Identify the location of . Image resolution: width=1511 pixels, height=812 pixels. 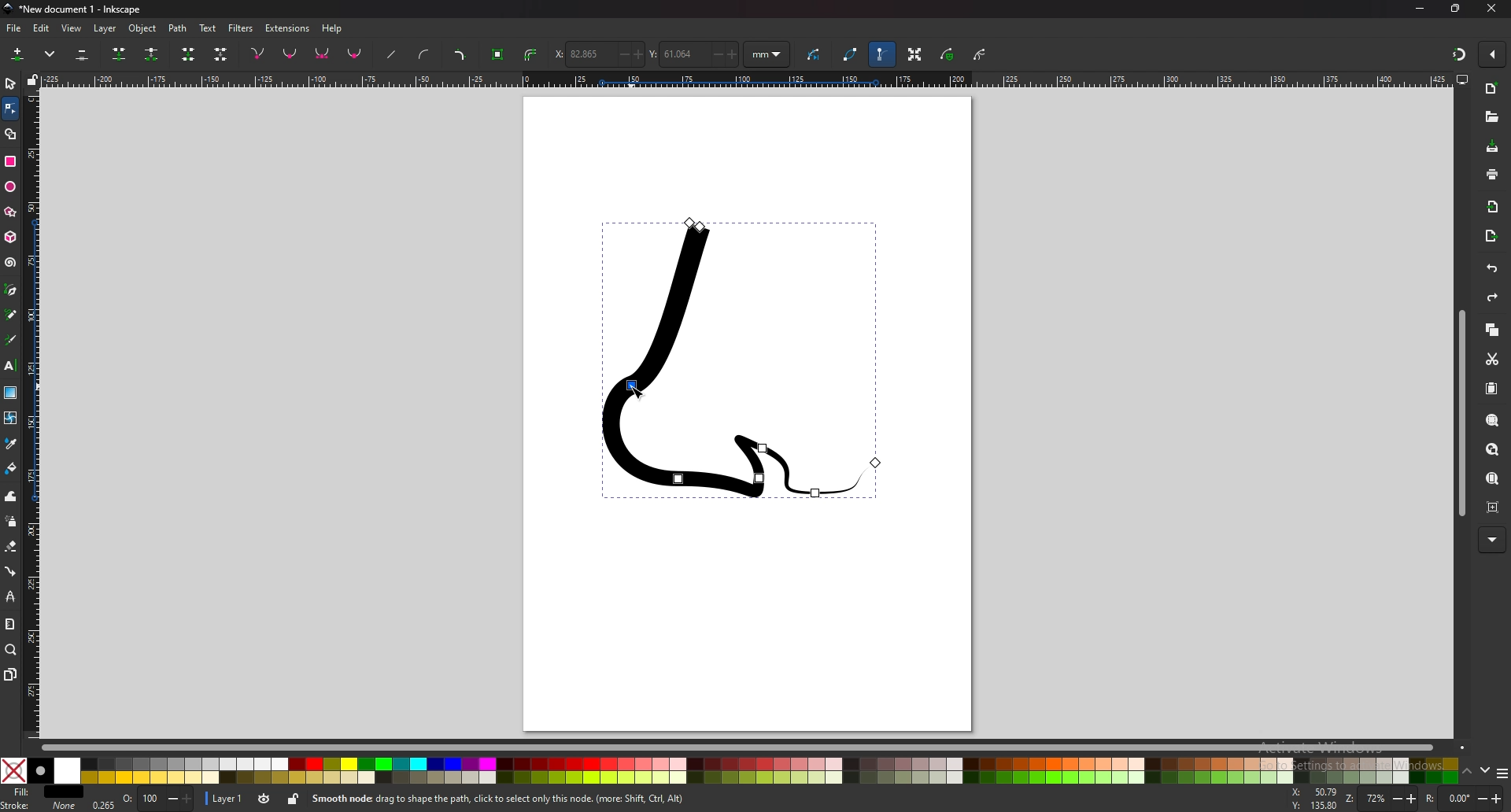
(1493, 540).